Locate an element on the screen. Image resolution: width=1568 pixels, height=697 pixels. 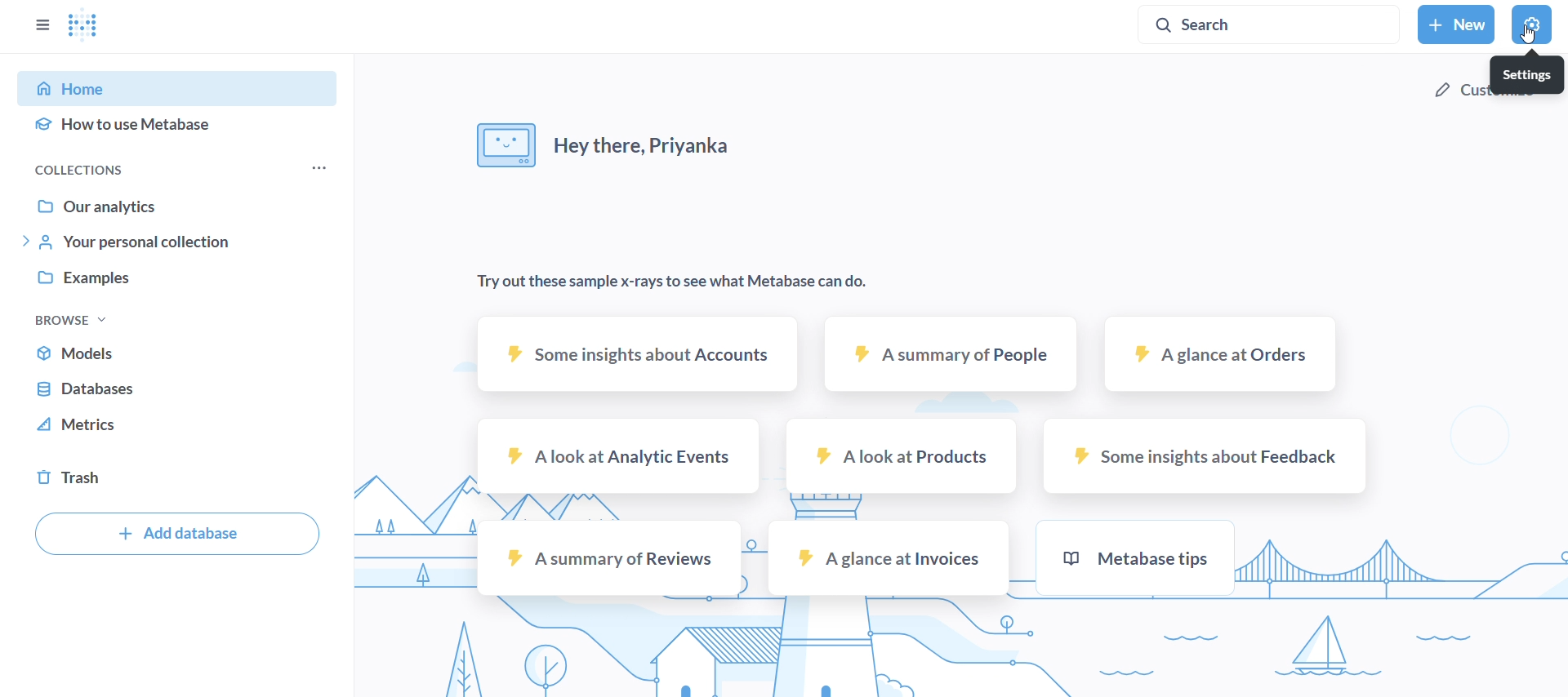
metabase tips is located at coordinates (1139, 557).